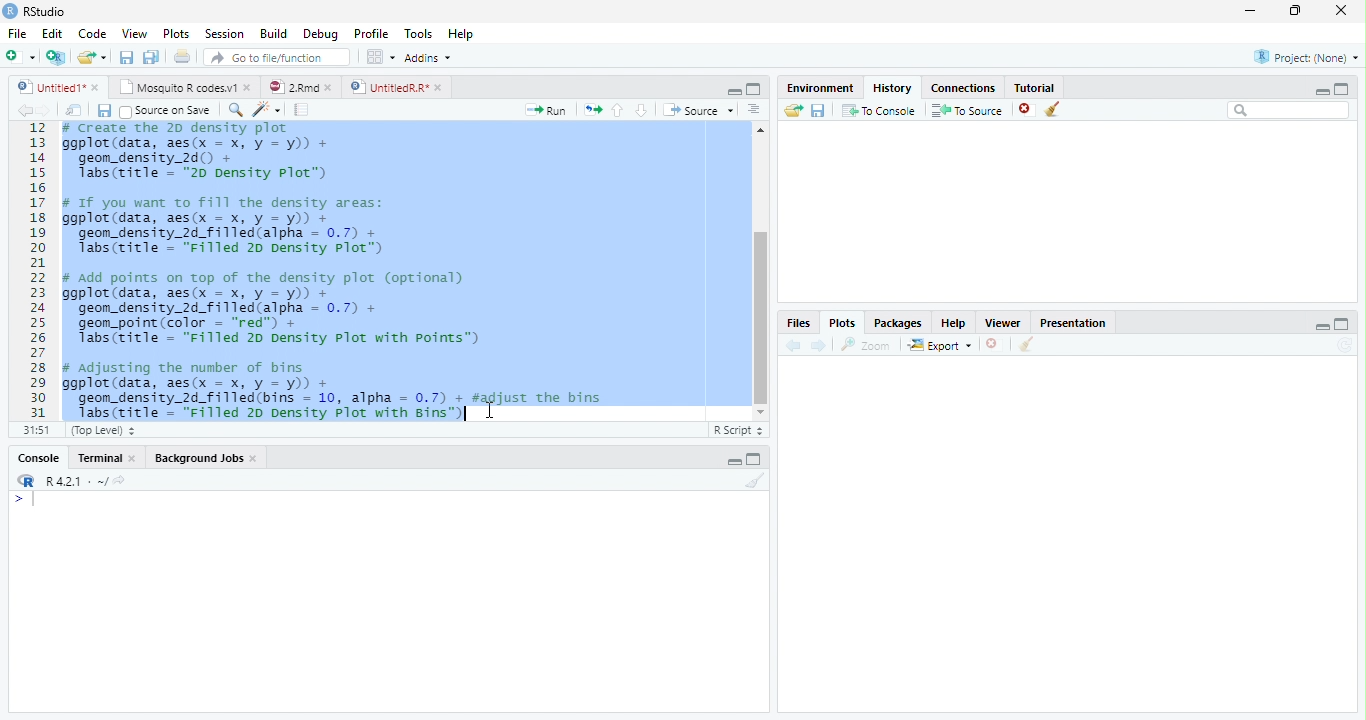 The image size is (1366, 720). Describe the element at coordinates (75, 111) in the screenshot. I see `show in window` at that location.